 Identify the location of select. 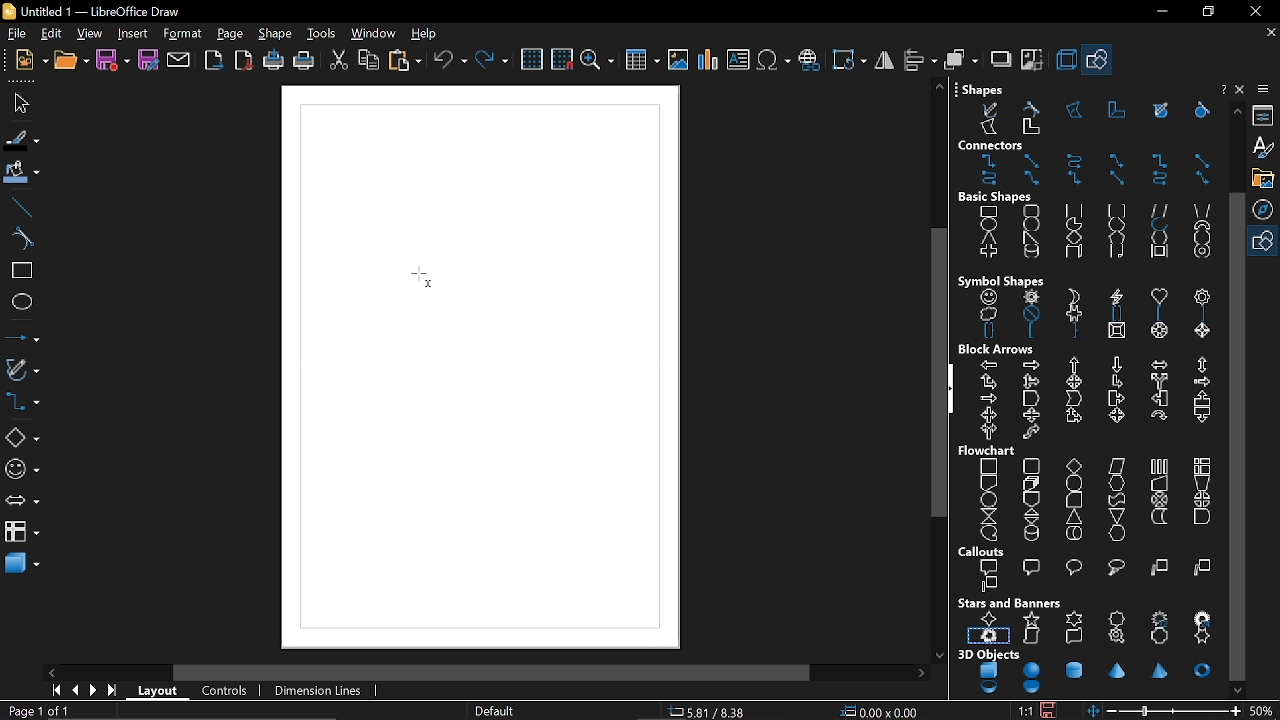
(18, 103).